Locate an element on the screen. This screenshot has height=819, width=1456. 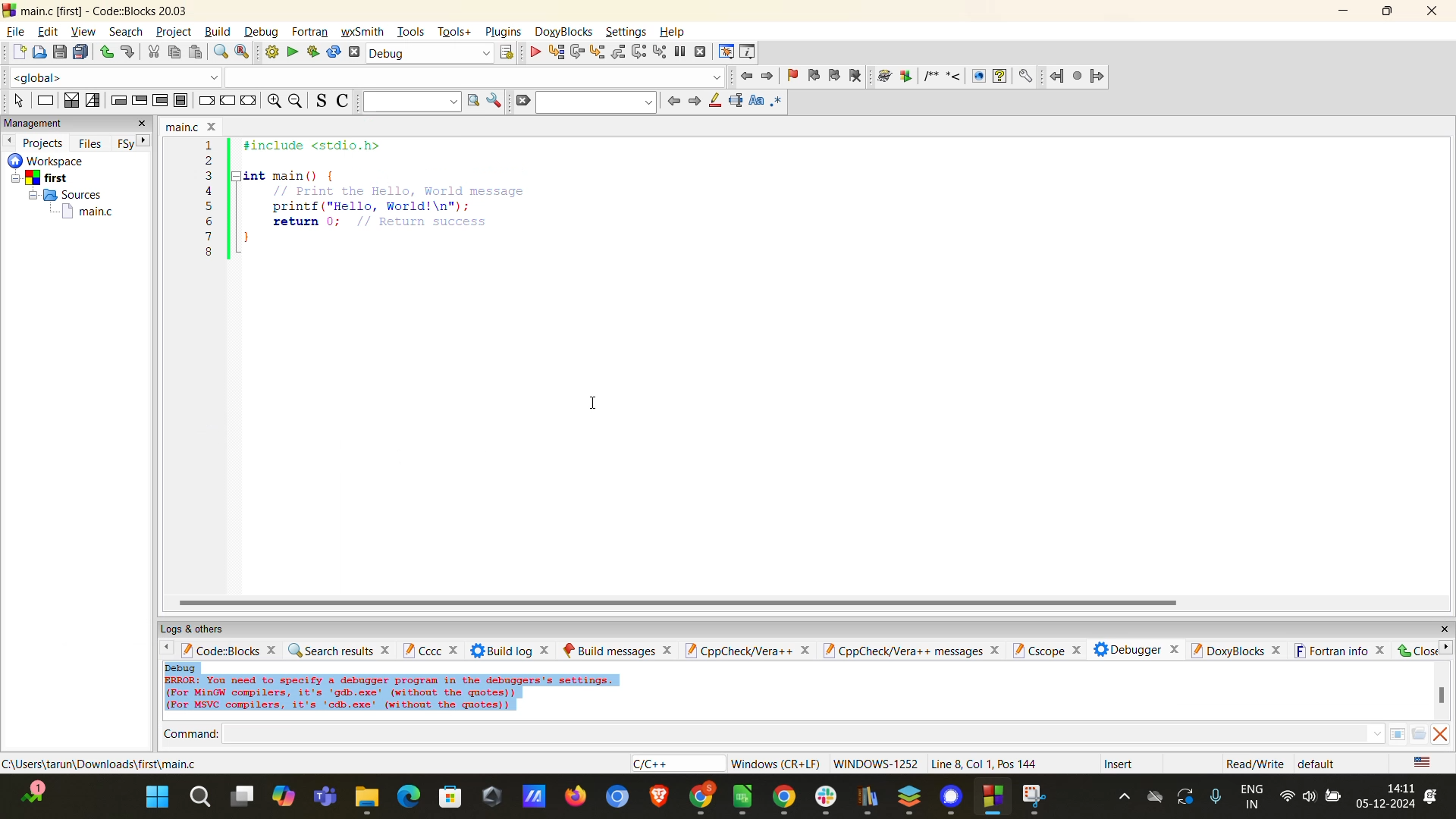
close is located at coordinates (1437, 11).